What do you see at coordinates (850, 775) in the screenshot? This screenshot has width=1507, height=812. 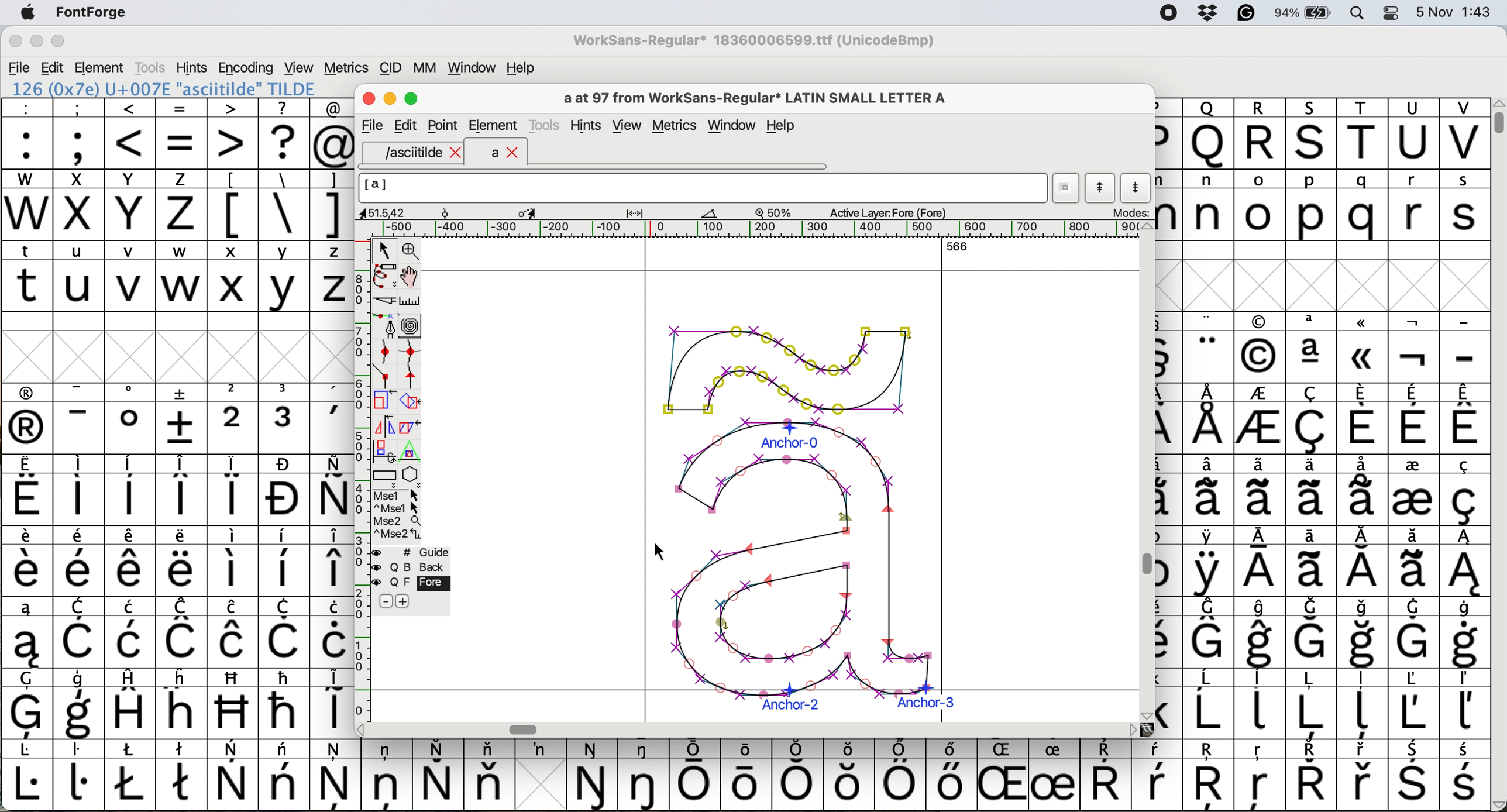 I see `` at bounding box center [850, 775].